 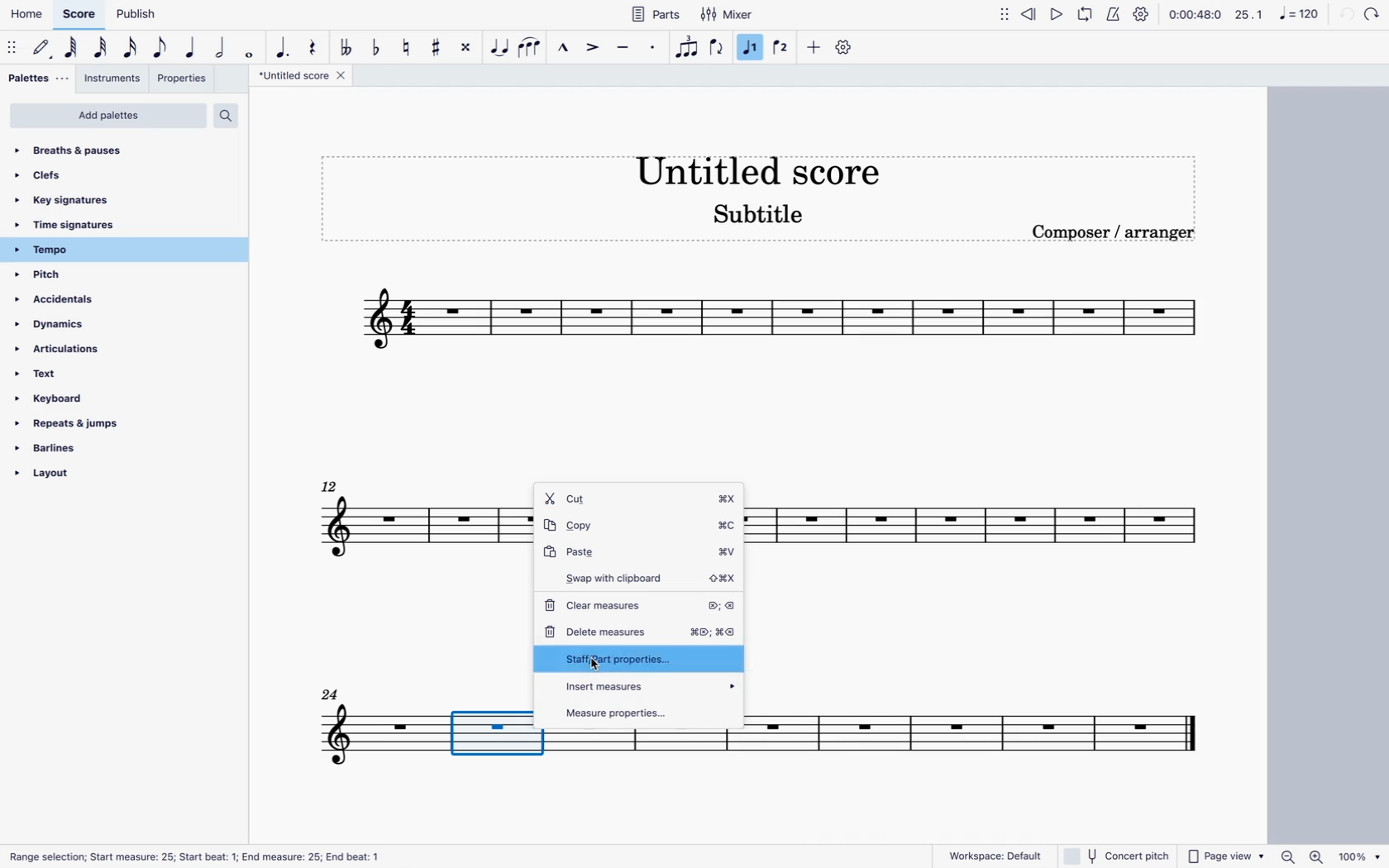 I want to click on cursor, so click(x=595, y=664).